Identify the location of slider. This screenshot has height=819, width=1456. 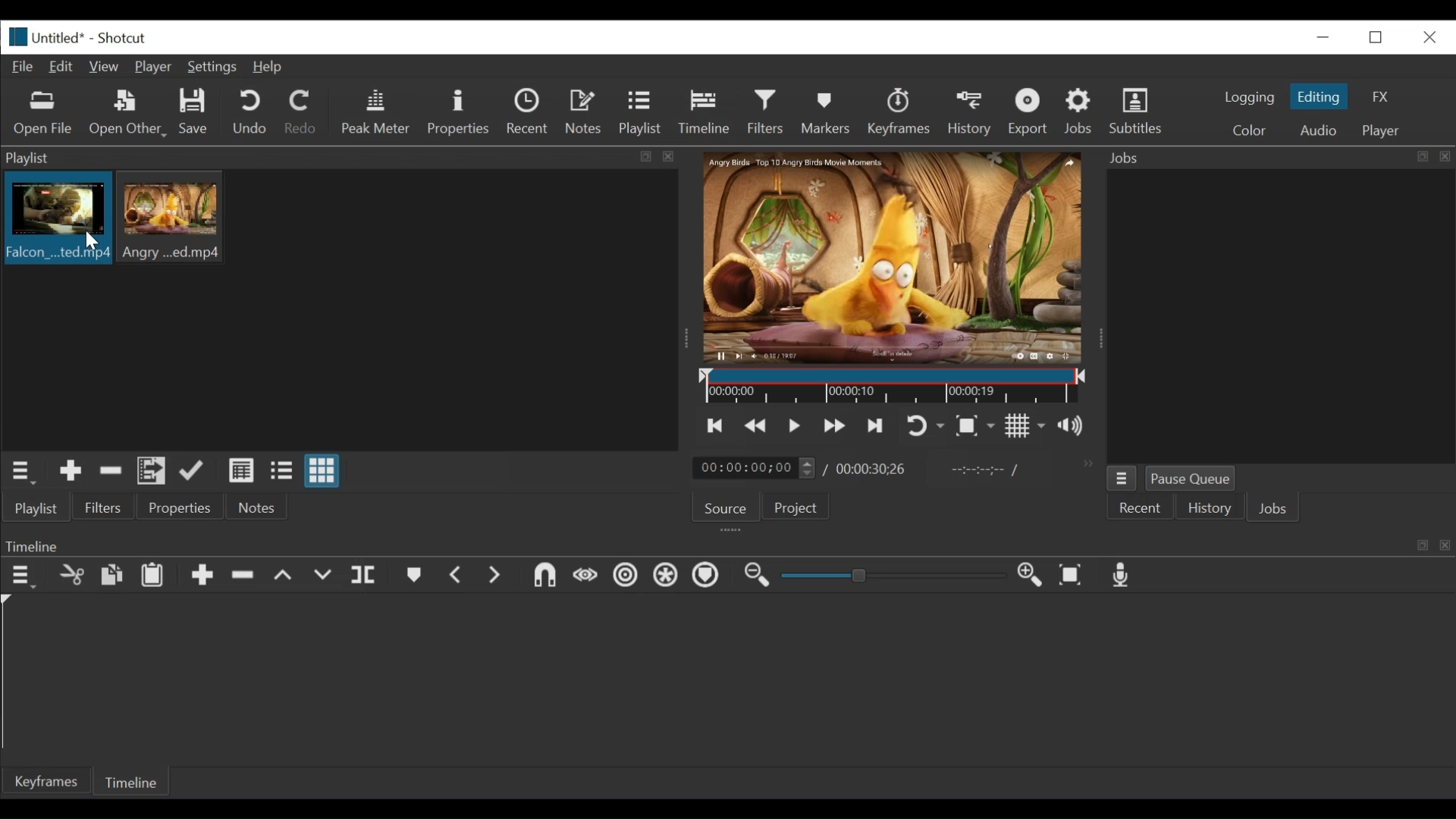
(889, 576).